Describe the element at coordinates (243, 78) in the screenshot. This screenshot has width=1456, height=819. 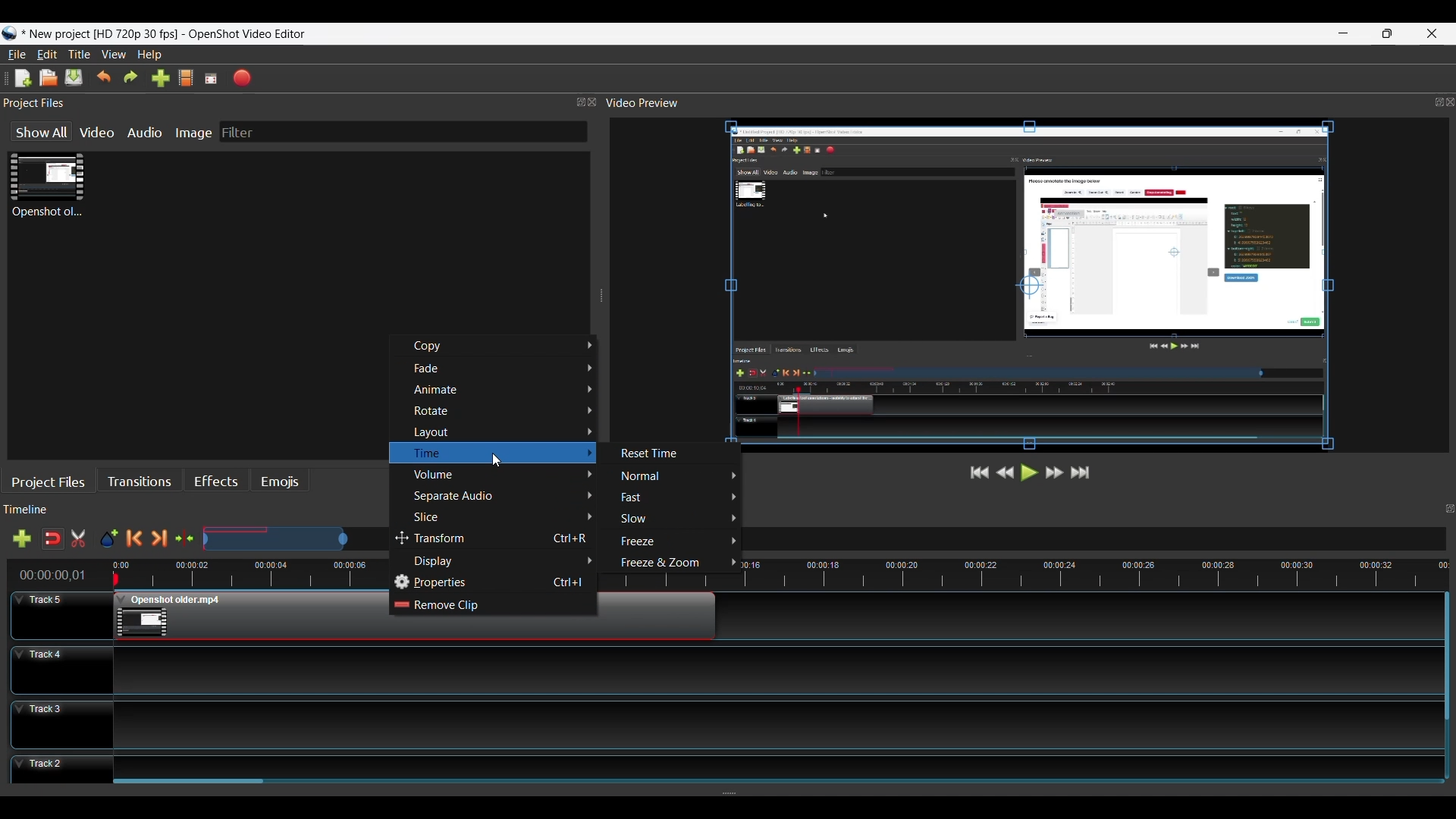
I see `Export Video` at that location.